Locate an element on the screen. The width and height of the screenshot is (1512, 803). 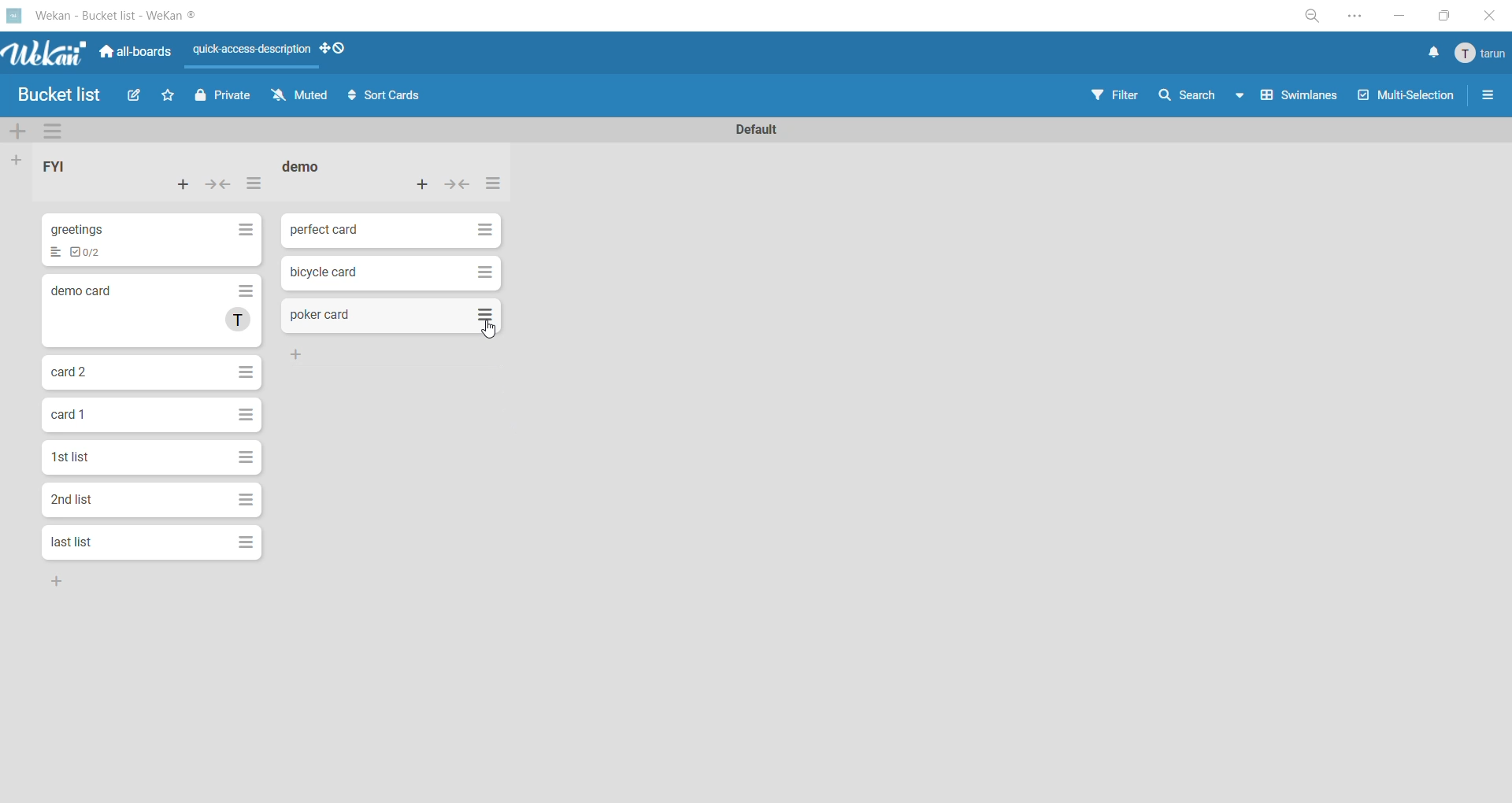
card 2 is located at coordinates (76, 368).